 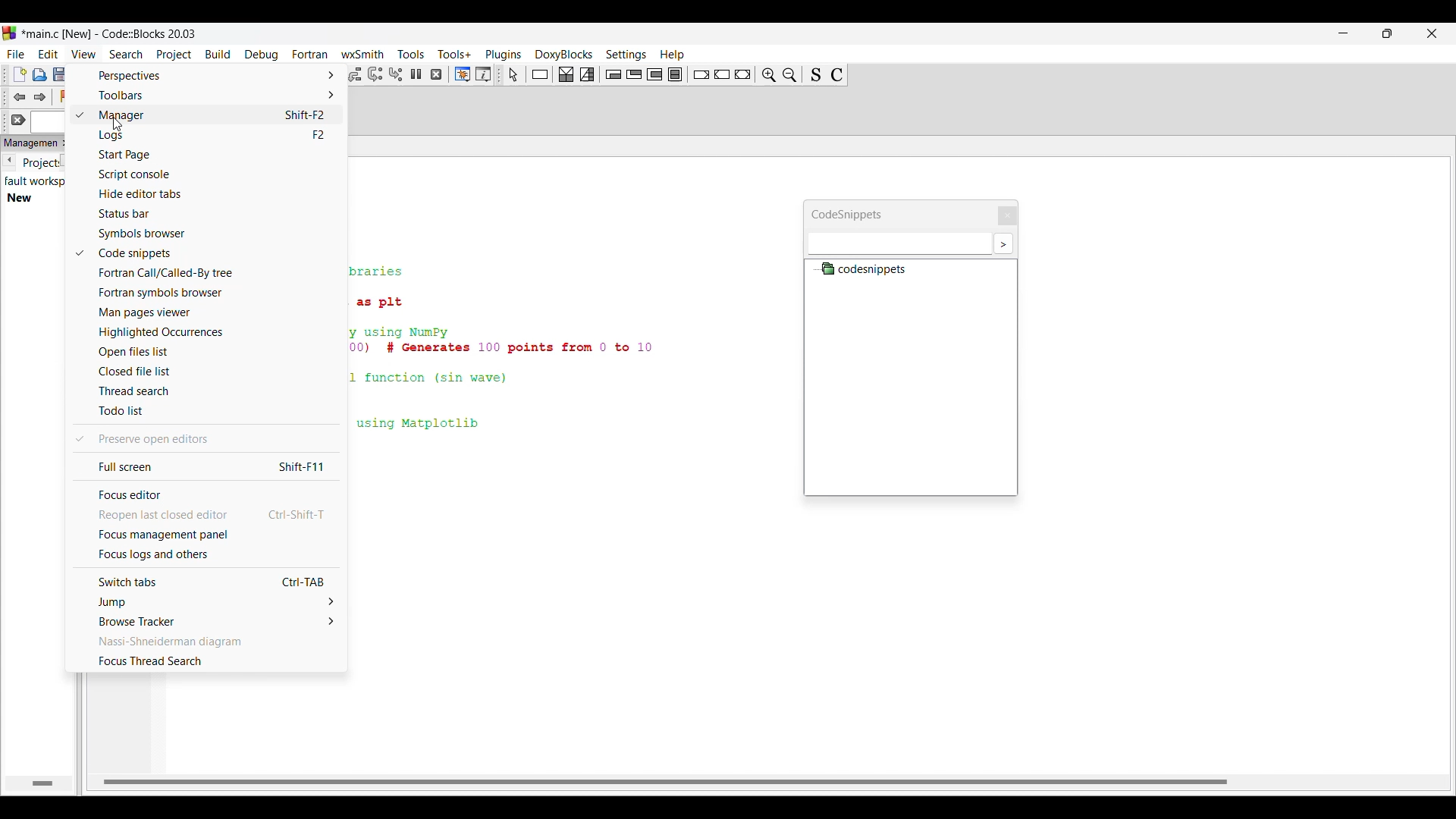 I want to click on Toggle source, so click(x=815, y=74).